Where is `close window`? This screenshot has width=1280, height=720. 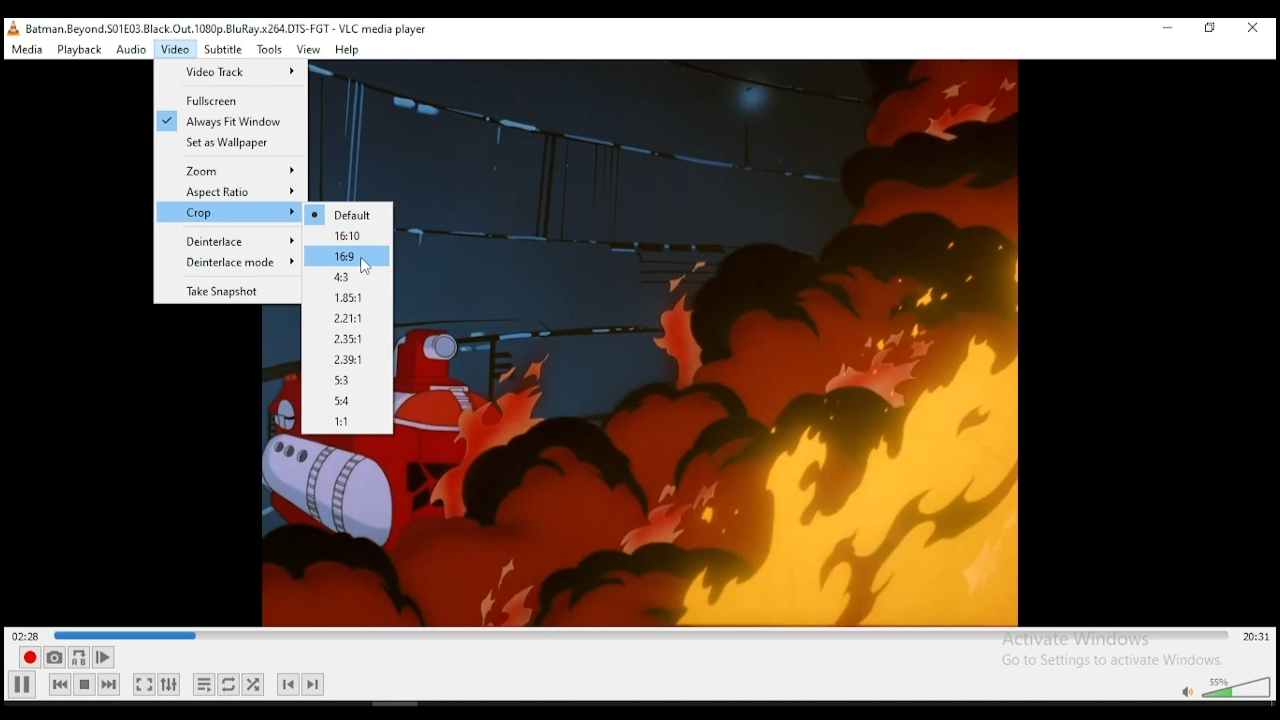
close window is located at coordinates (1256, 33).